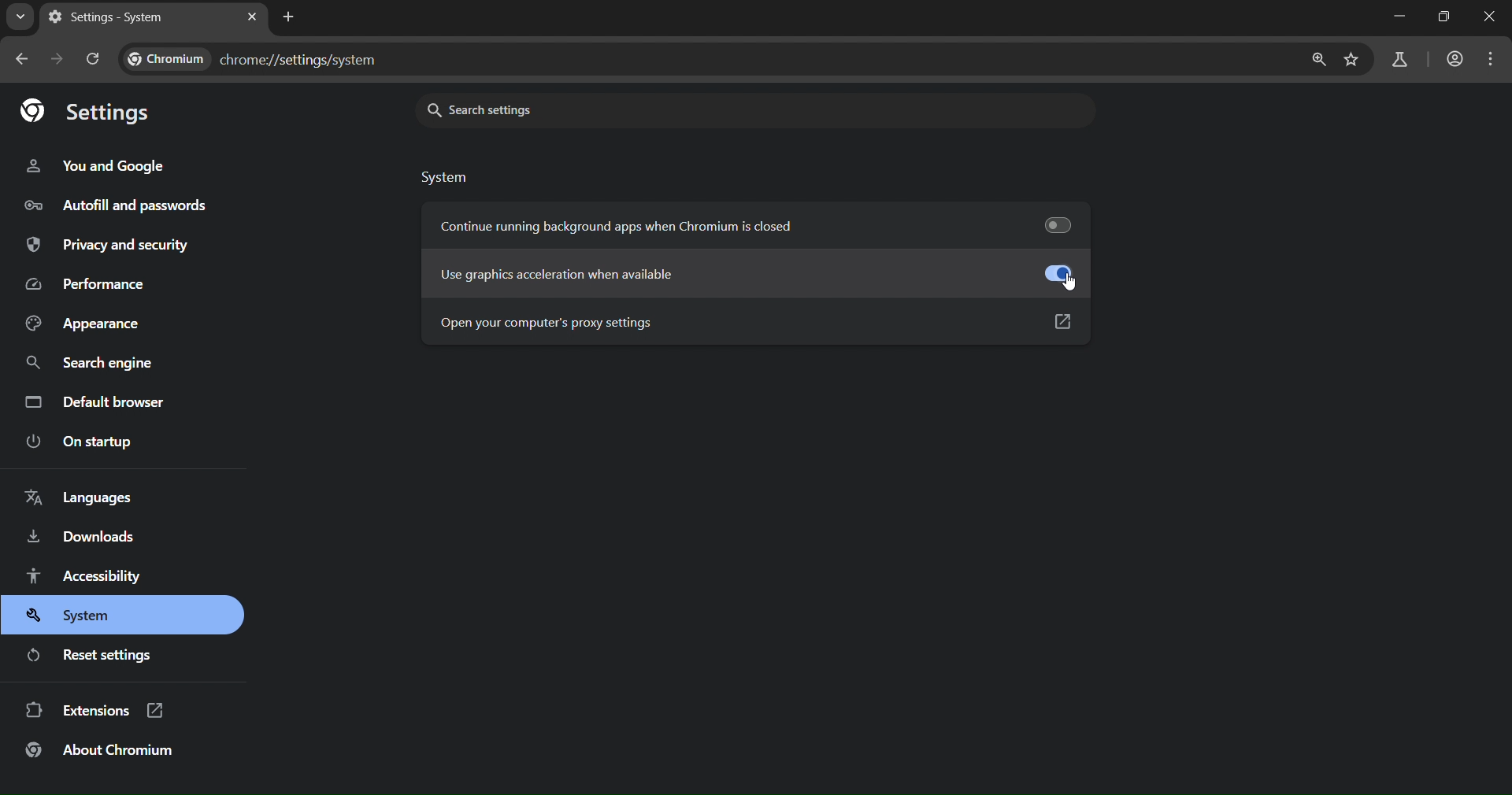  Describe the element at coordinates (24, 60) in the screenshot. I see `go back one page` at that location.